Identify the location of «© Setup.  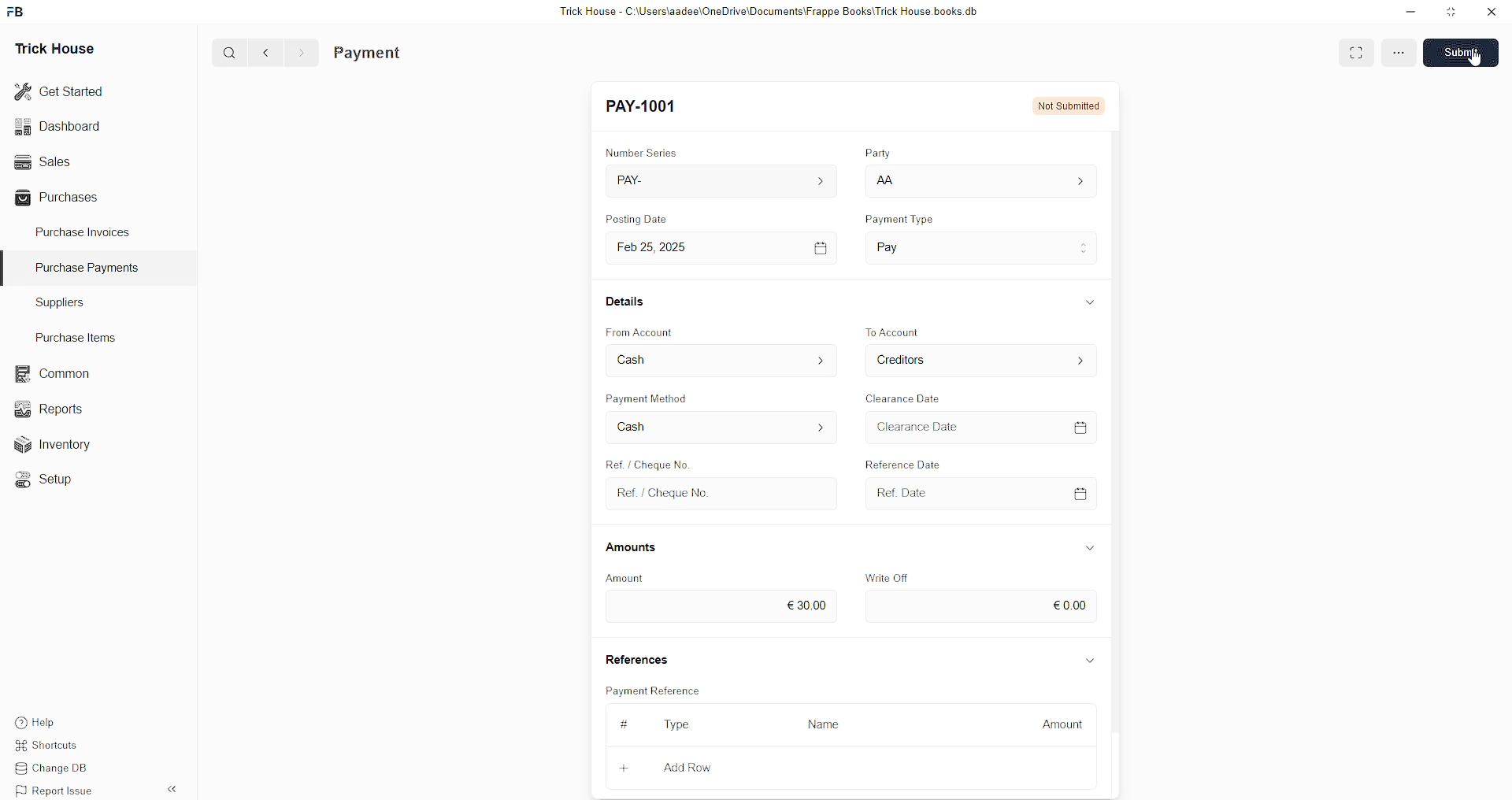
(49, 480).